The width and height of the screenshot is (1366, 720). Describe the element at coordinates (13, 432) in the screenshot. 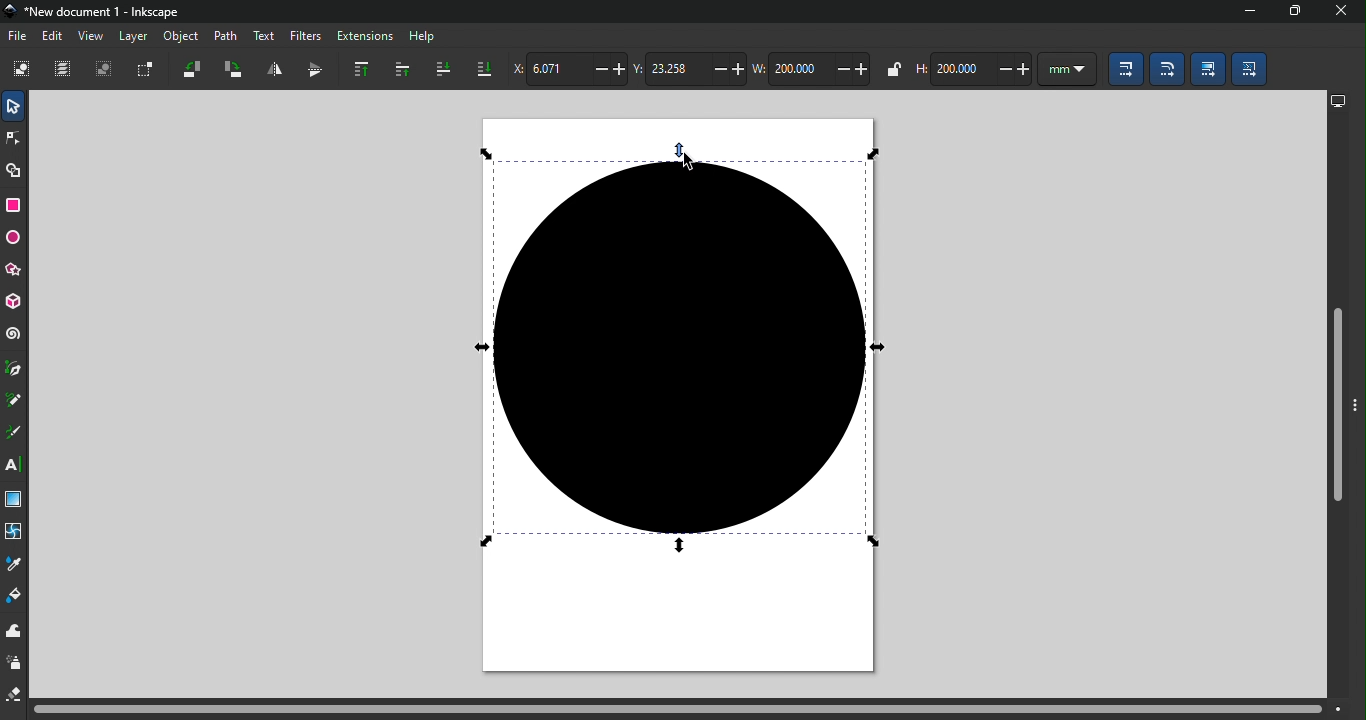

I see `Calligraphy tool` at that location.